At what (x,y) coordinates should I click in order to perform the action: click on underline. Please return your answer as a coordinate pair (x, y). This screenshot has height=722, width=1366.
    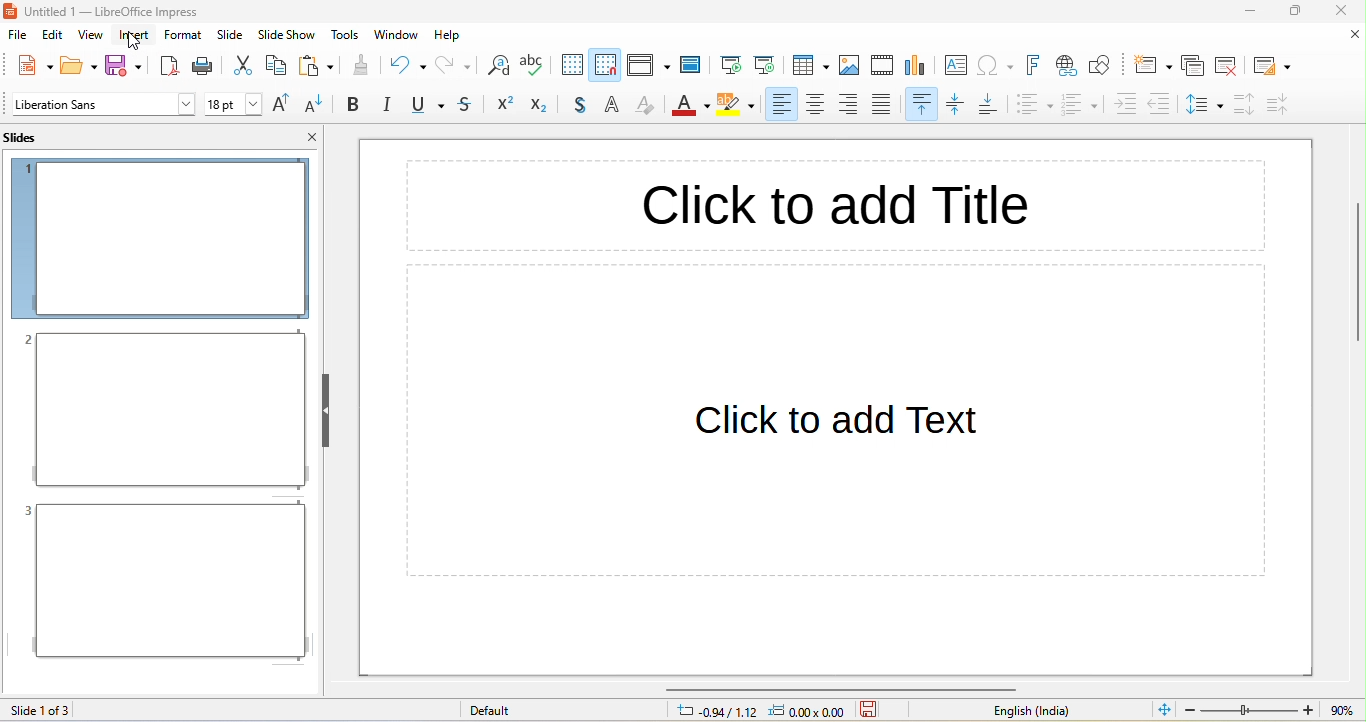
    Looking at the image, I should click on (425, 106).